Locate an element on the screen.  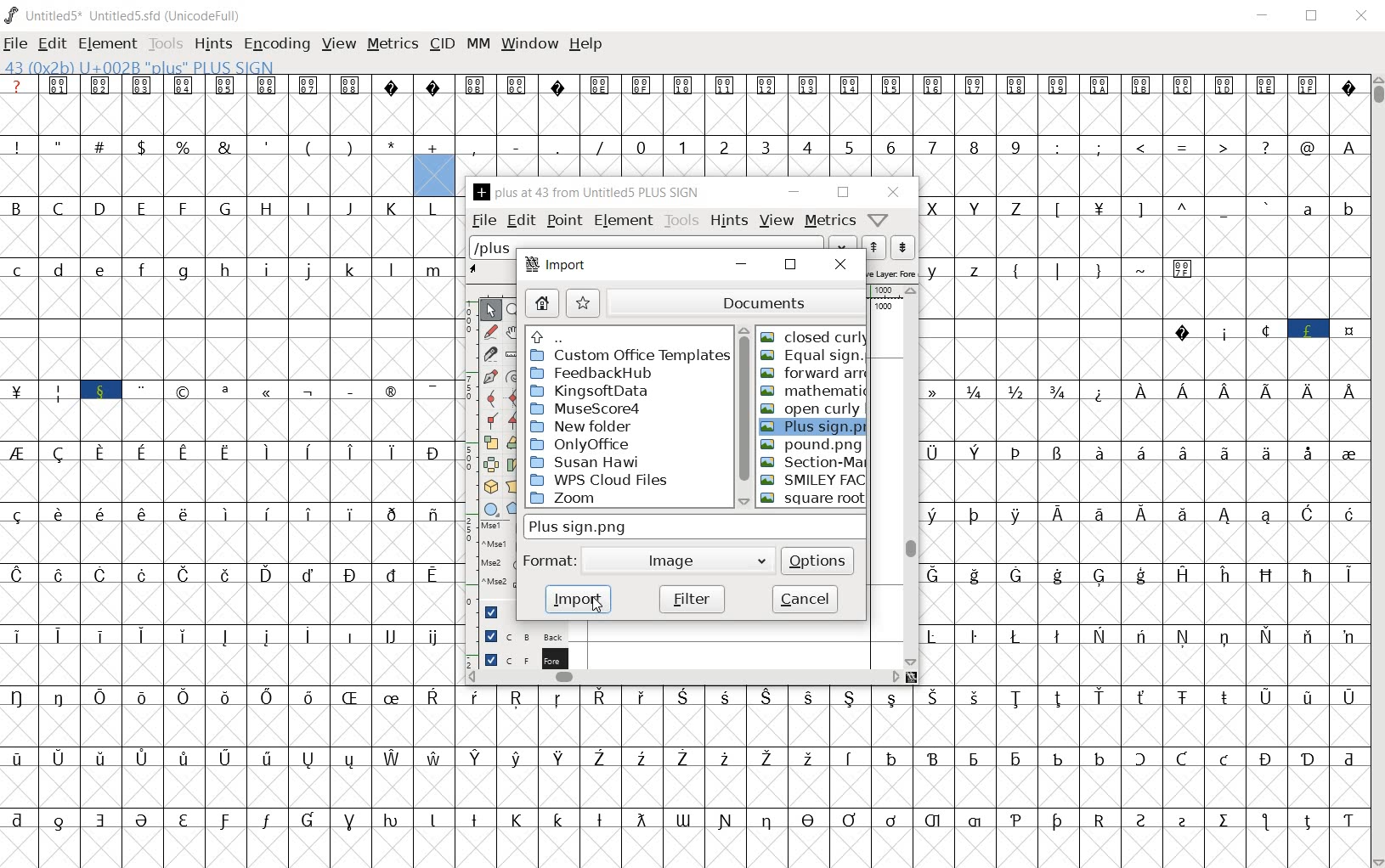
element is located at coordinates (622, 219).